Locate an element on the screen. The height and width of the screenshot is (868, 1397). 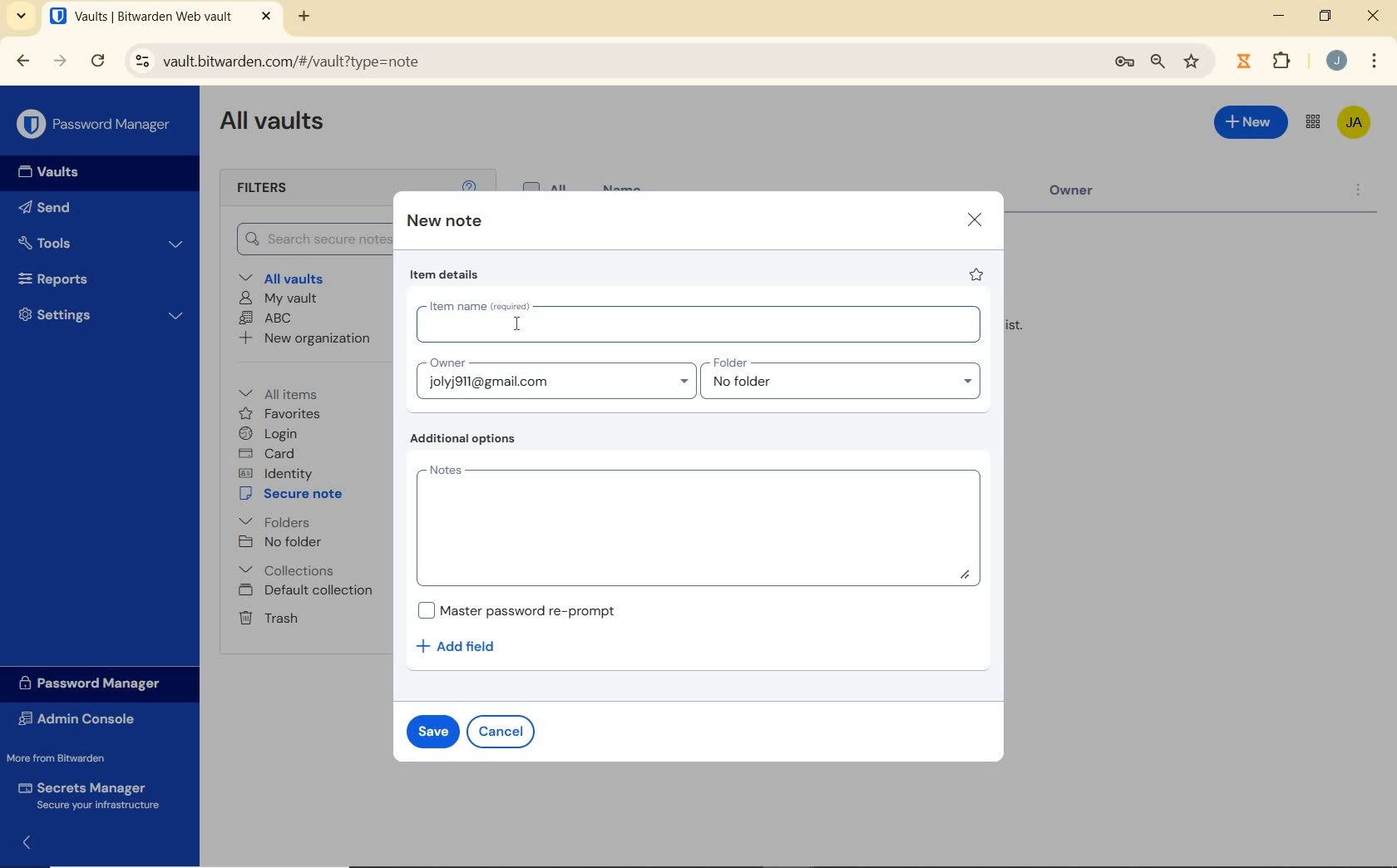
new tab is located at coordinates (306, 18).